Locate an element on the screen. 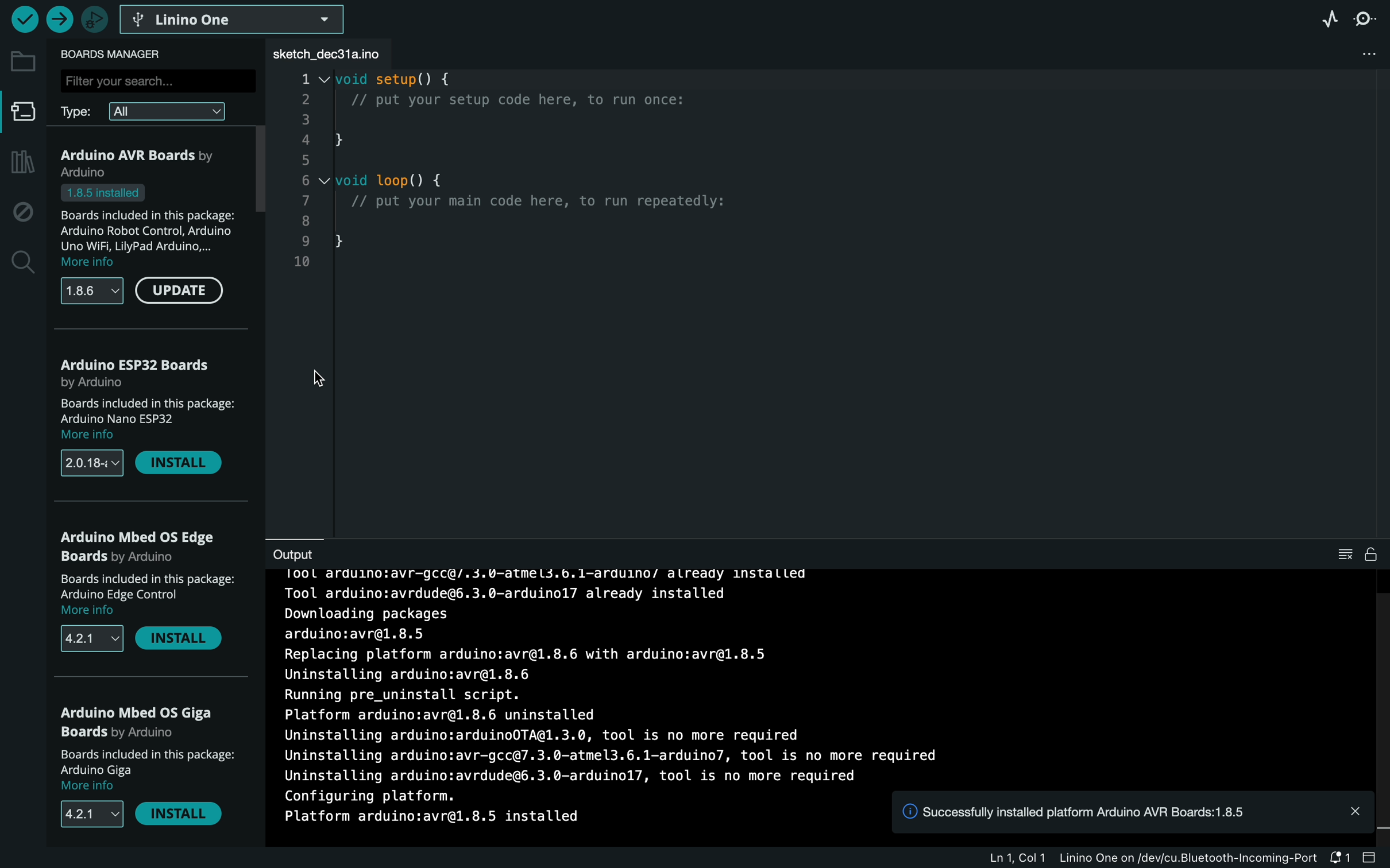  OS gIGA is located at coordinates (142, 721).